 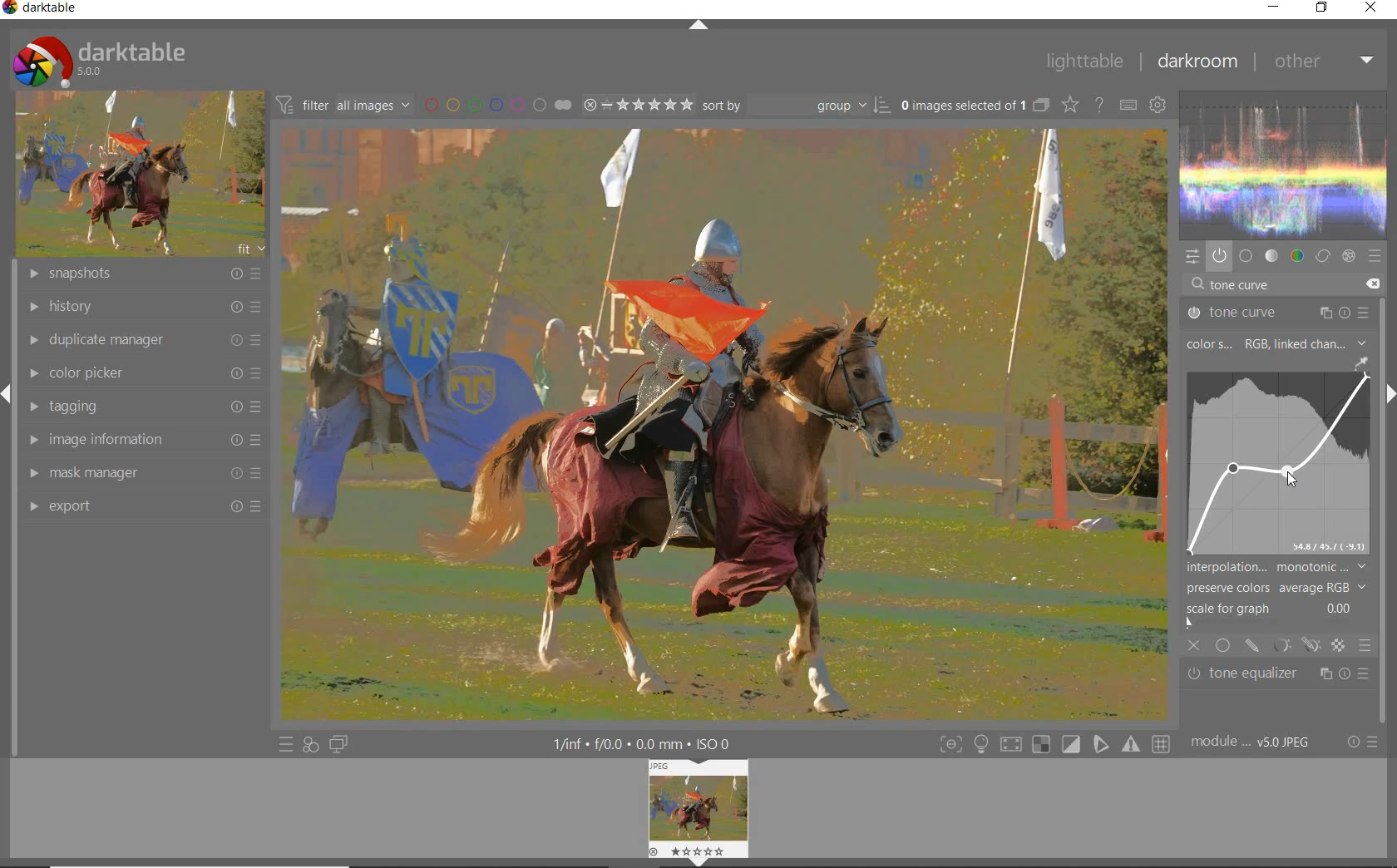 I want to click on reset or presets & preferences, so click(x=1362, y=743).